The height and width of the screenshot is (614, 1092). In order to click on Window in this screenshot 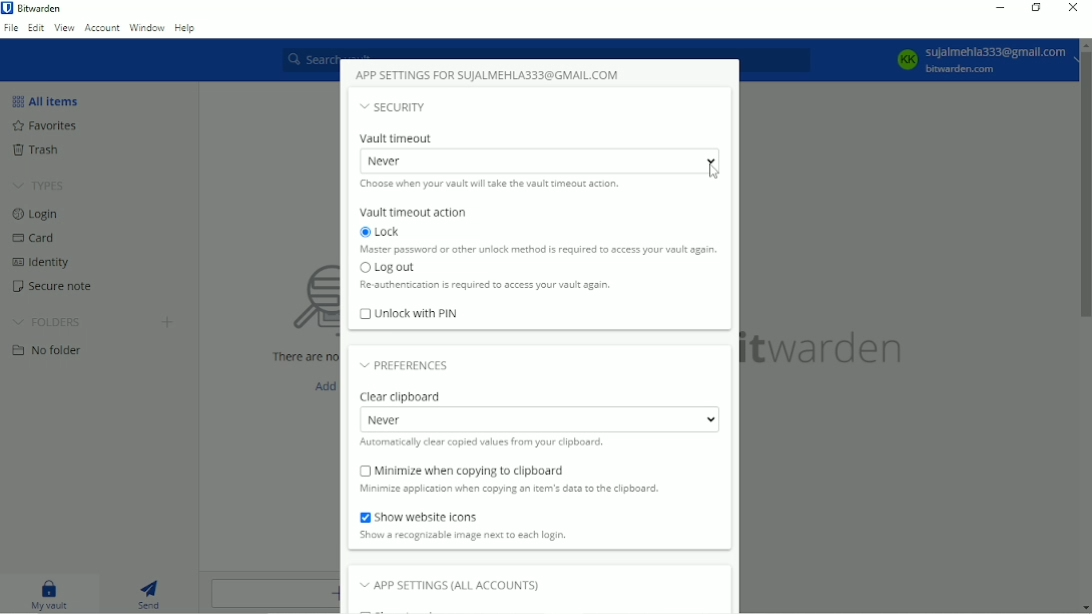, I will do `click(147, 26)`.